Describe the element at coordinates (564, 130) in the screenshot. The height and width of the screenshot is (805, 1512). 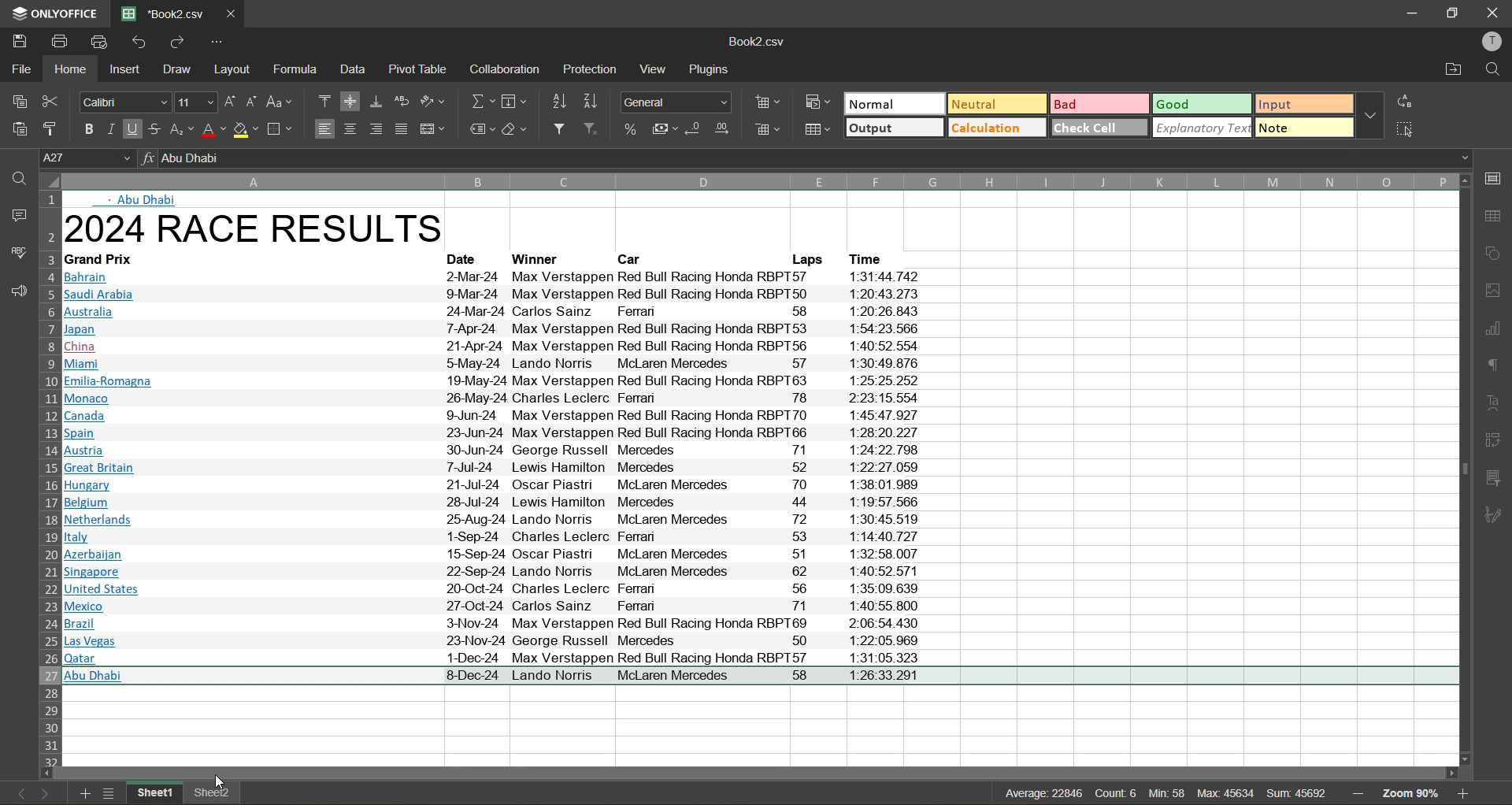
I see `filter` at that location.